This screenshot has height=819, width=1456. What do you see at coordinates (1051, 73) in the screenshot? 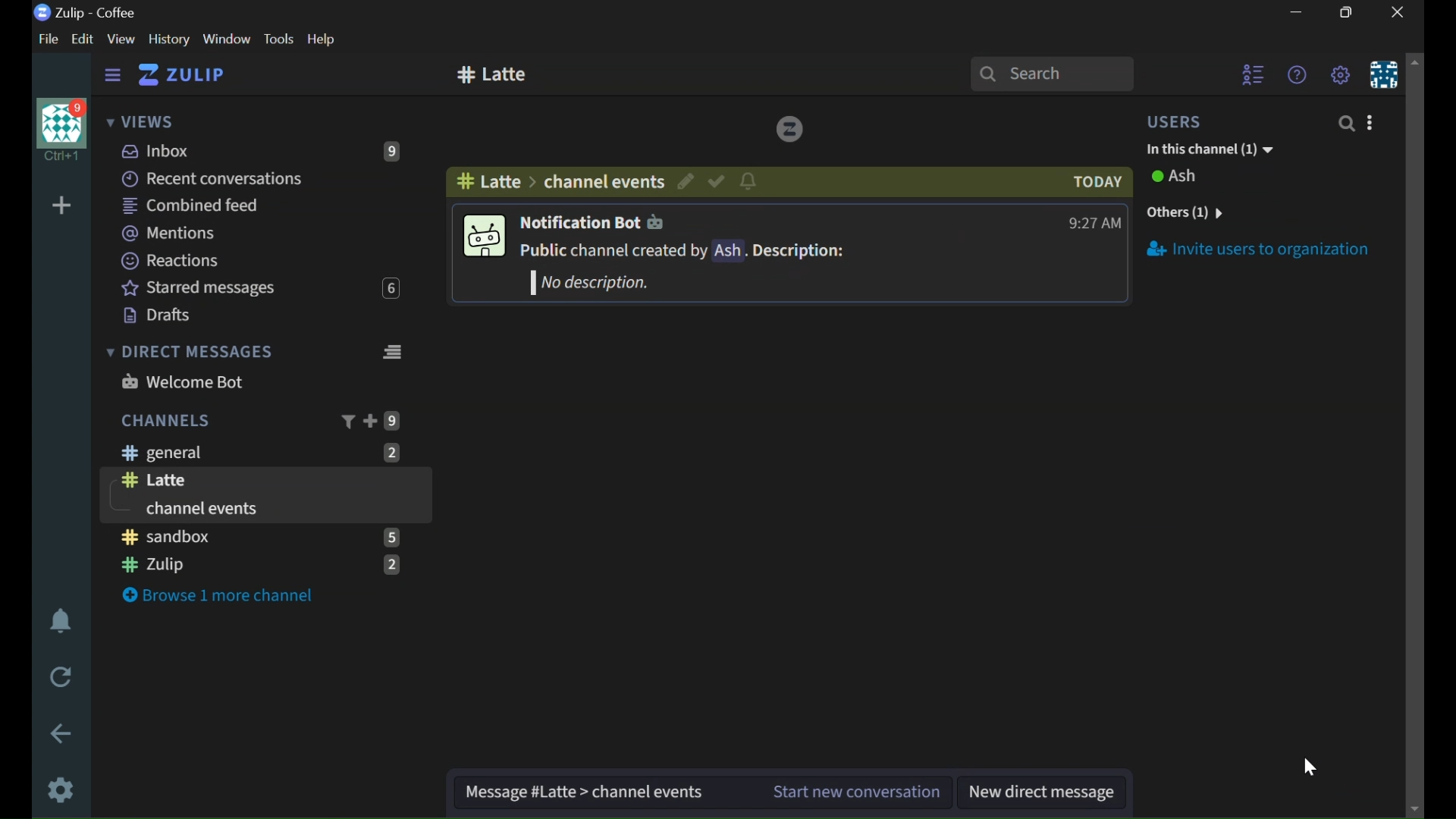
I see `search` at bounding box center [1051, 73].